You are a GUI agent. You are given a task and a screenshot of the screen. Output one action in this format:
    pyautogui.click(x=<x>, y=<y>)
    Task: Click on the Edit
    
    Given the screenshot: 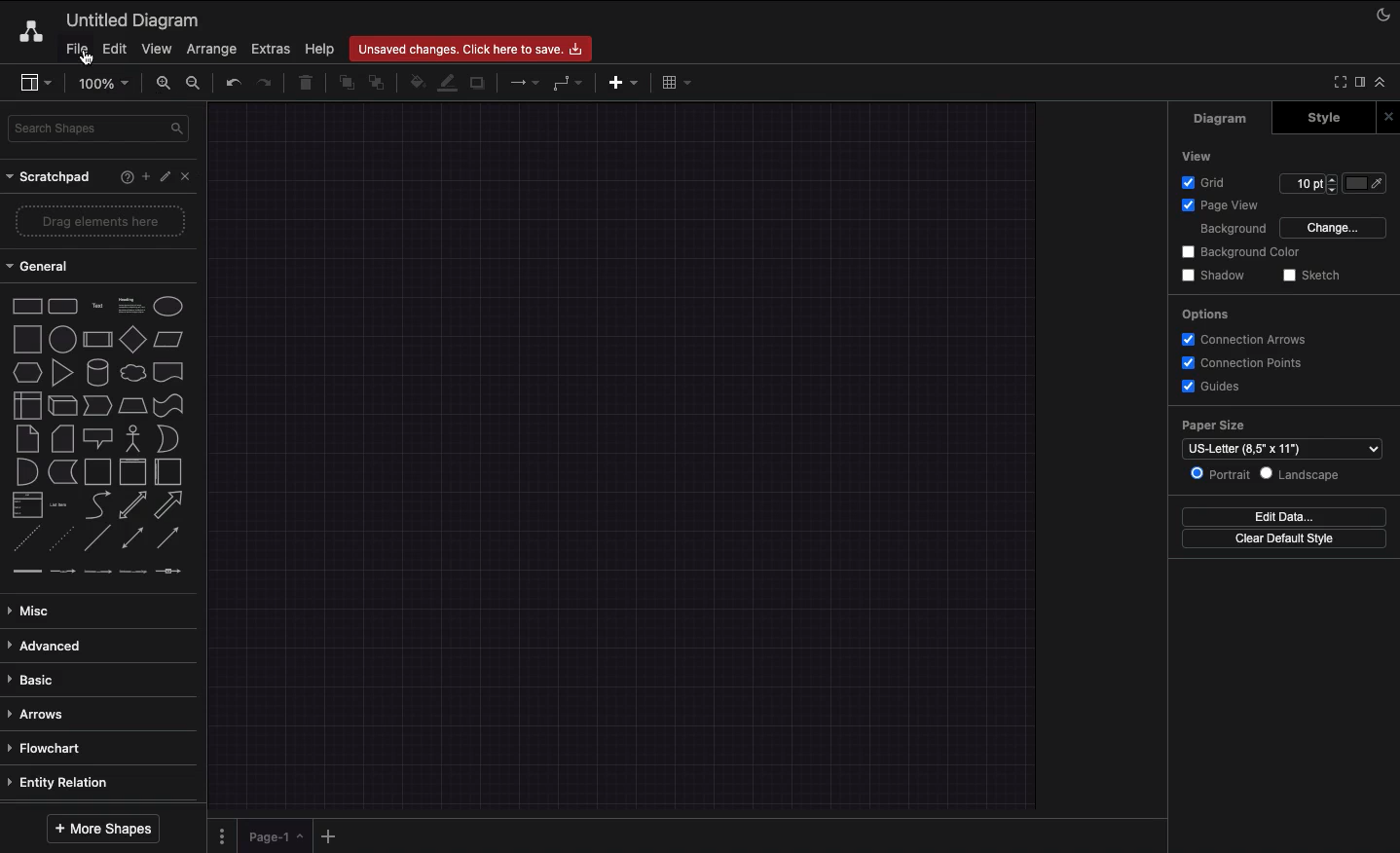 What is the action you would take?
    pyautogui.click(x=112, y=49)
    